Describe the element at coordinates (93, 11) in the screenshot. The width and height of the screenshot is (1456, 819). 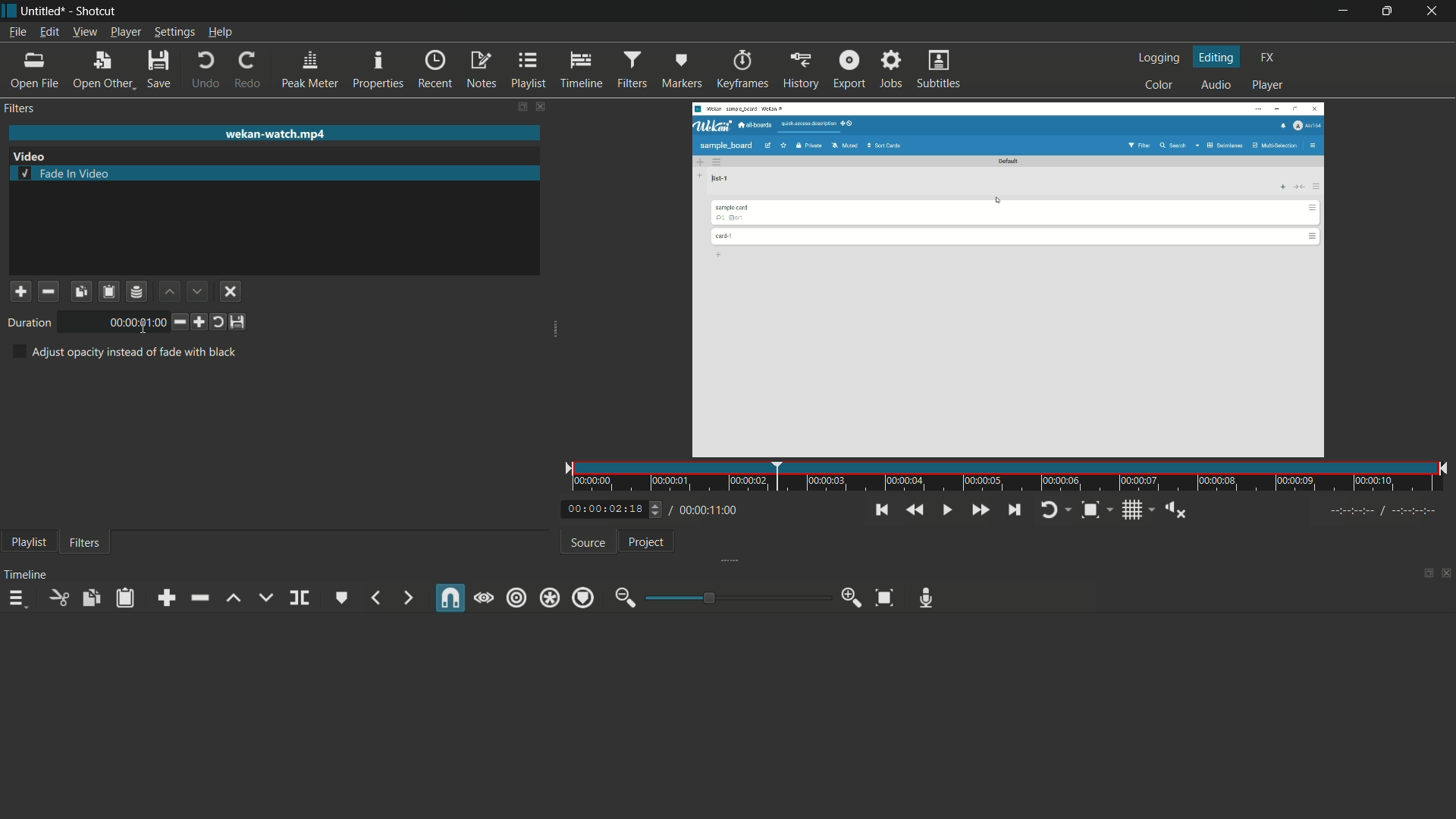
I see `app name` at that location.